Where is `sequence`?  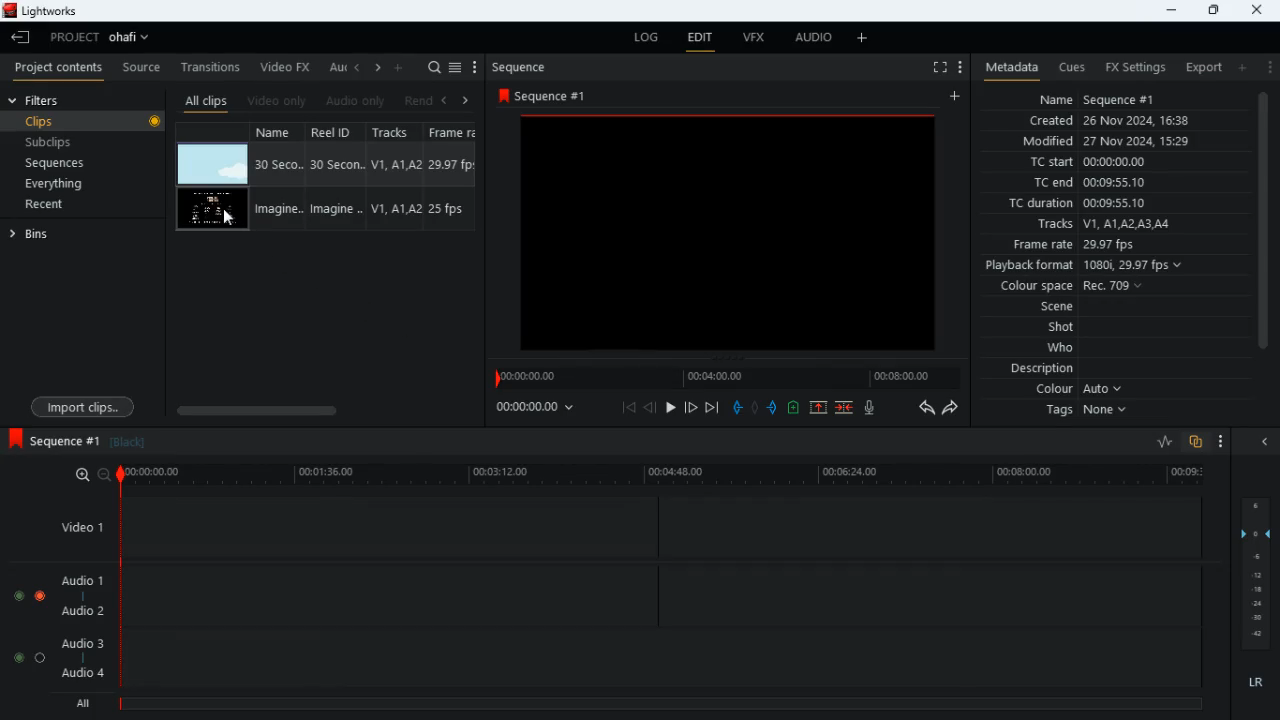 sequence is located at coordinates (525, 67).